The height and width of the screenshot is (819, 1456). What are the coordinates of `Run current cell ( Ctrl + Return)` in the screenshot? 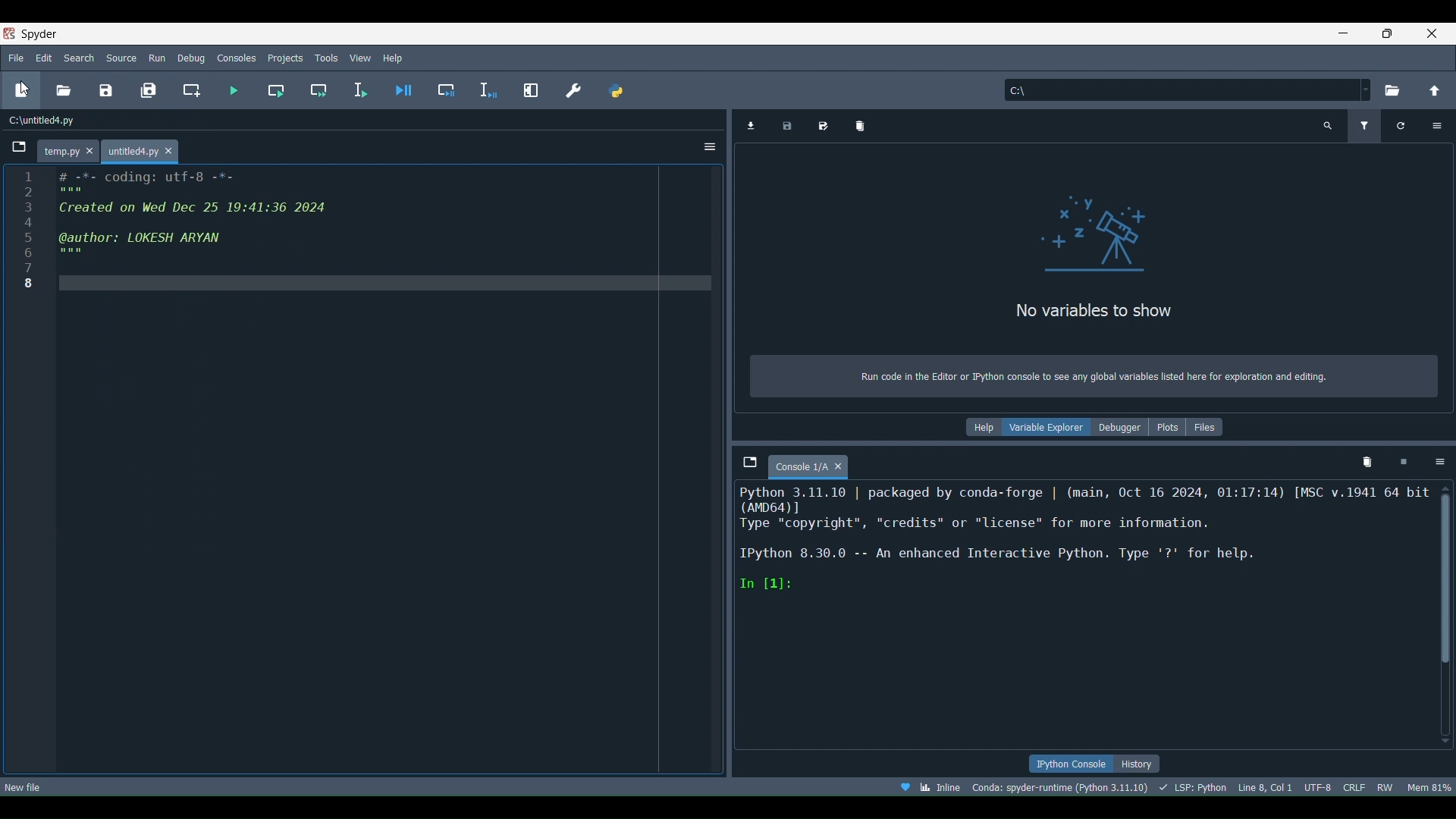 It's located at (269, 90).